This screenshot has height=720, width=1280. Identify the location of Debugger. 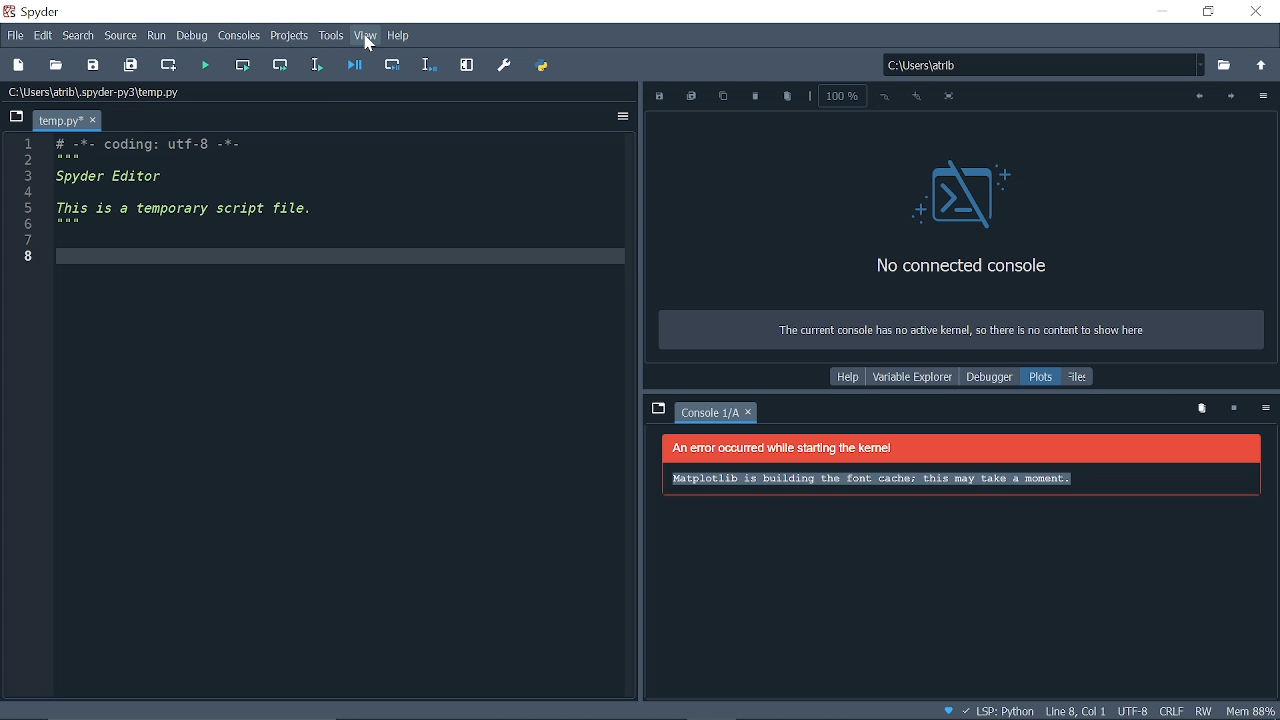
(988, 377).